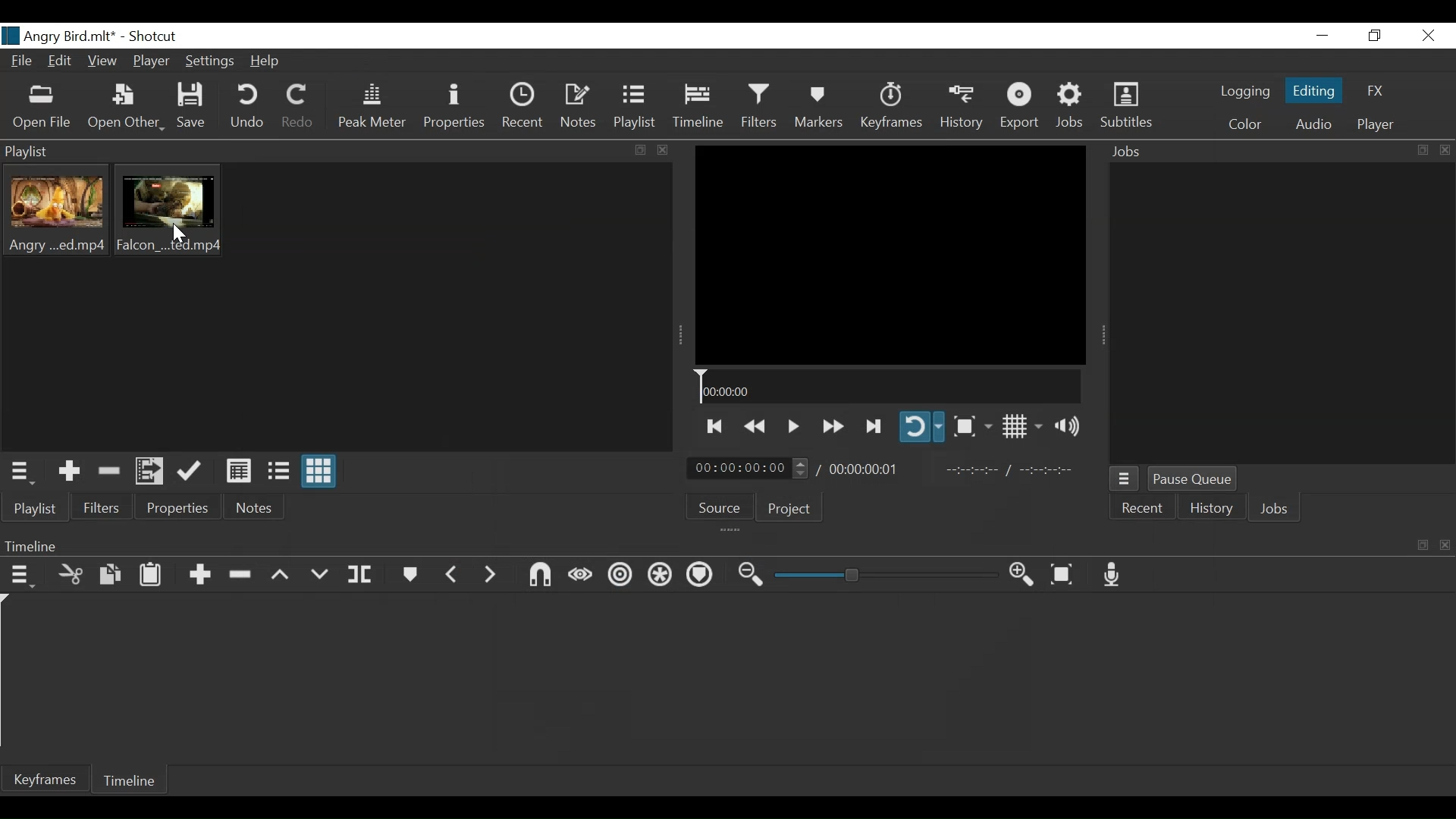 The image size is (1456, 819). What do you see at coordinates (583, 576) in the screenshot?
I see `Scrub while dragging` at bounding box center [583, 576].